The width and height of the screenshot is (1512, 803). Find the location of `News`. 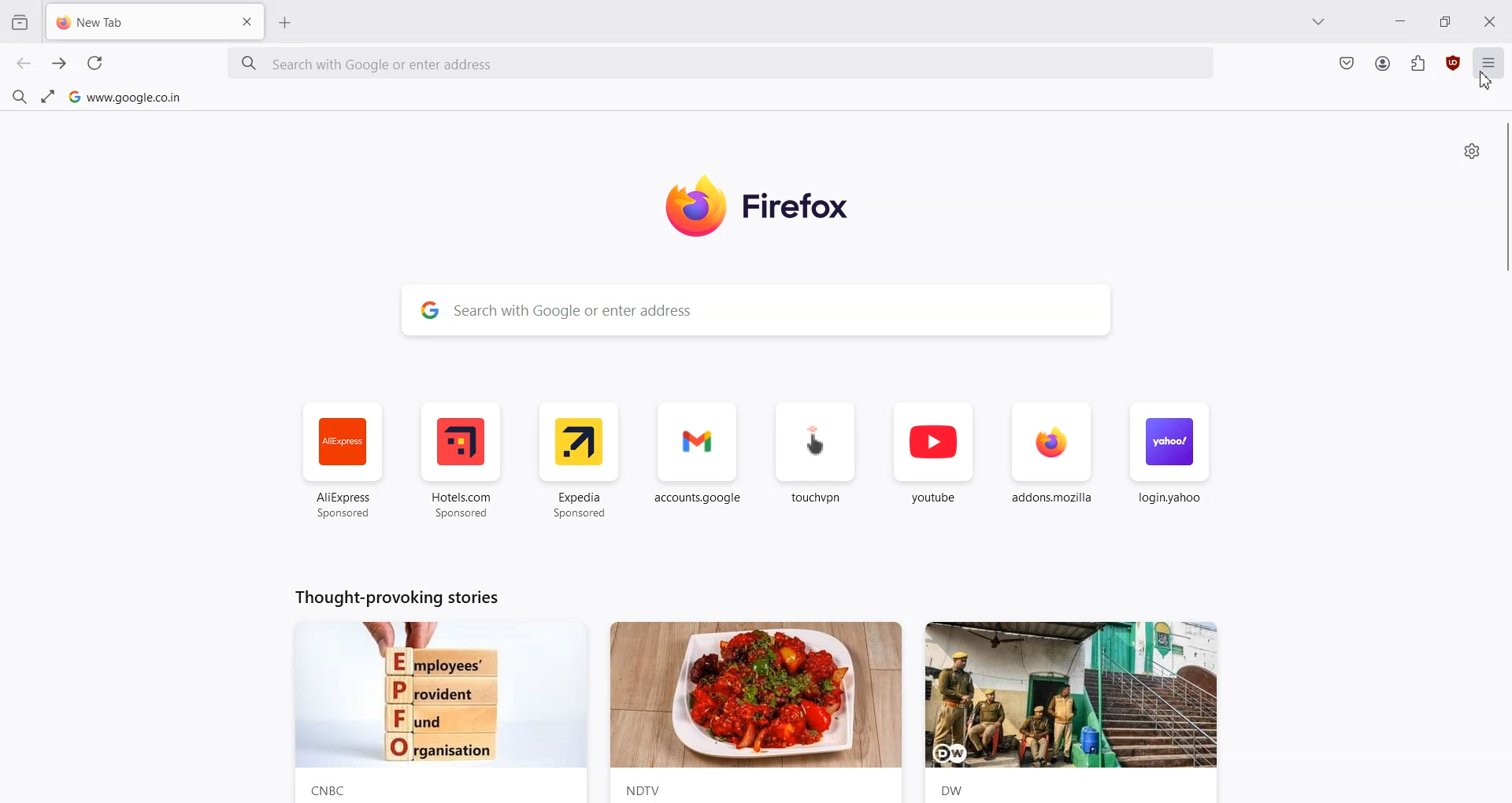

News is located at coordinates (438, 712).